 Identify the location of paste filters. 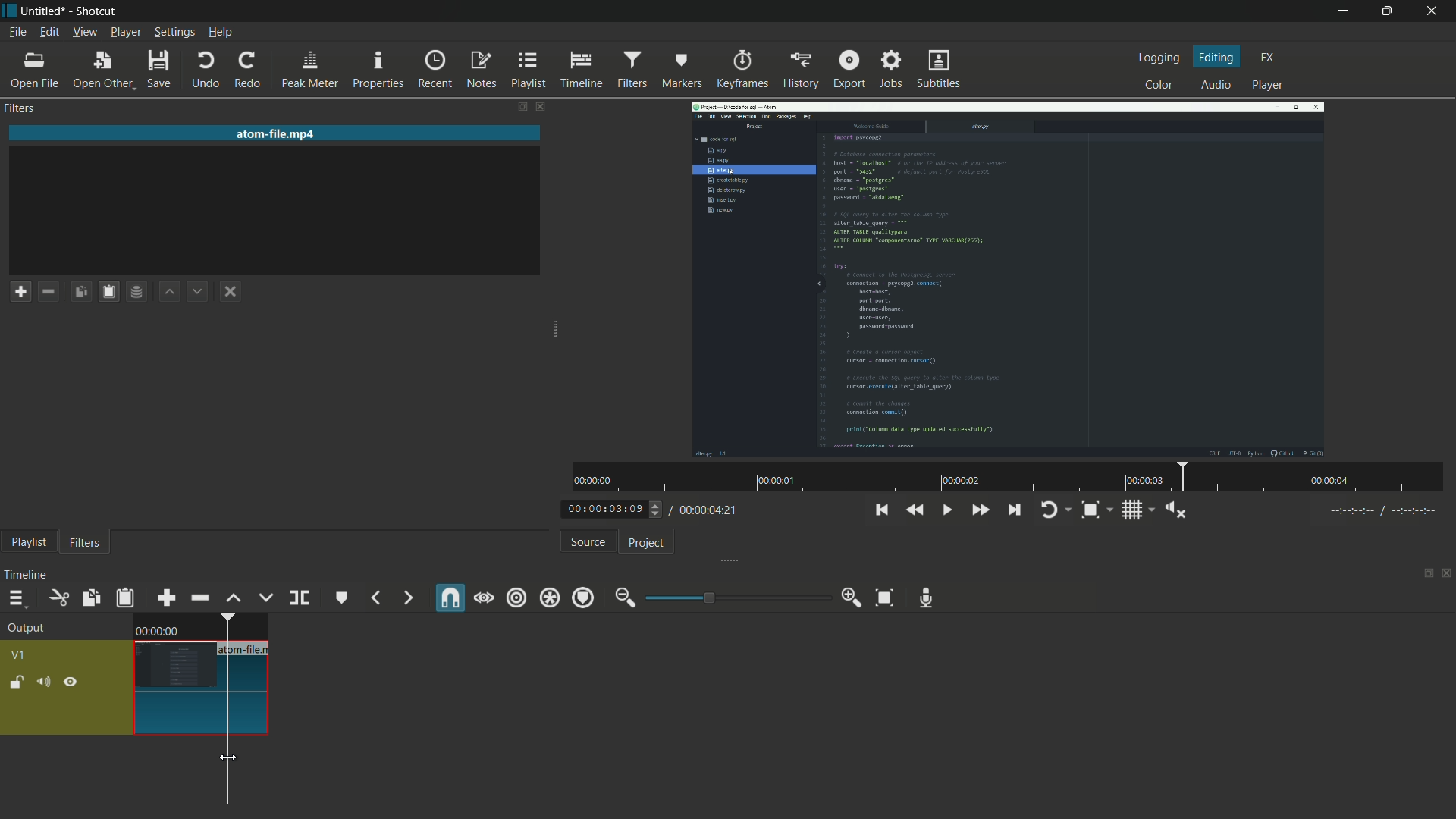
(107, 292).